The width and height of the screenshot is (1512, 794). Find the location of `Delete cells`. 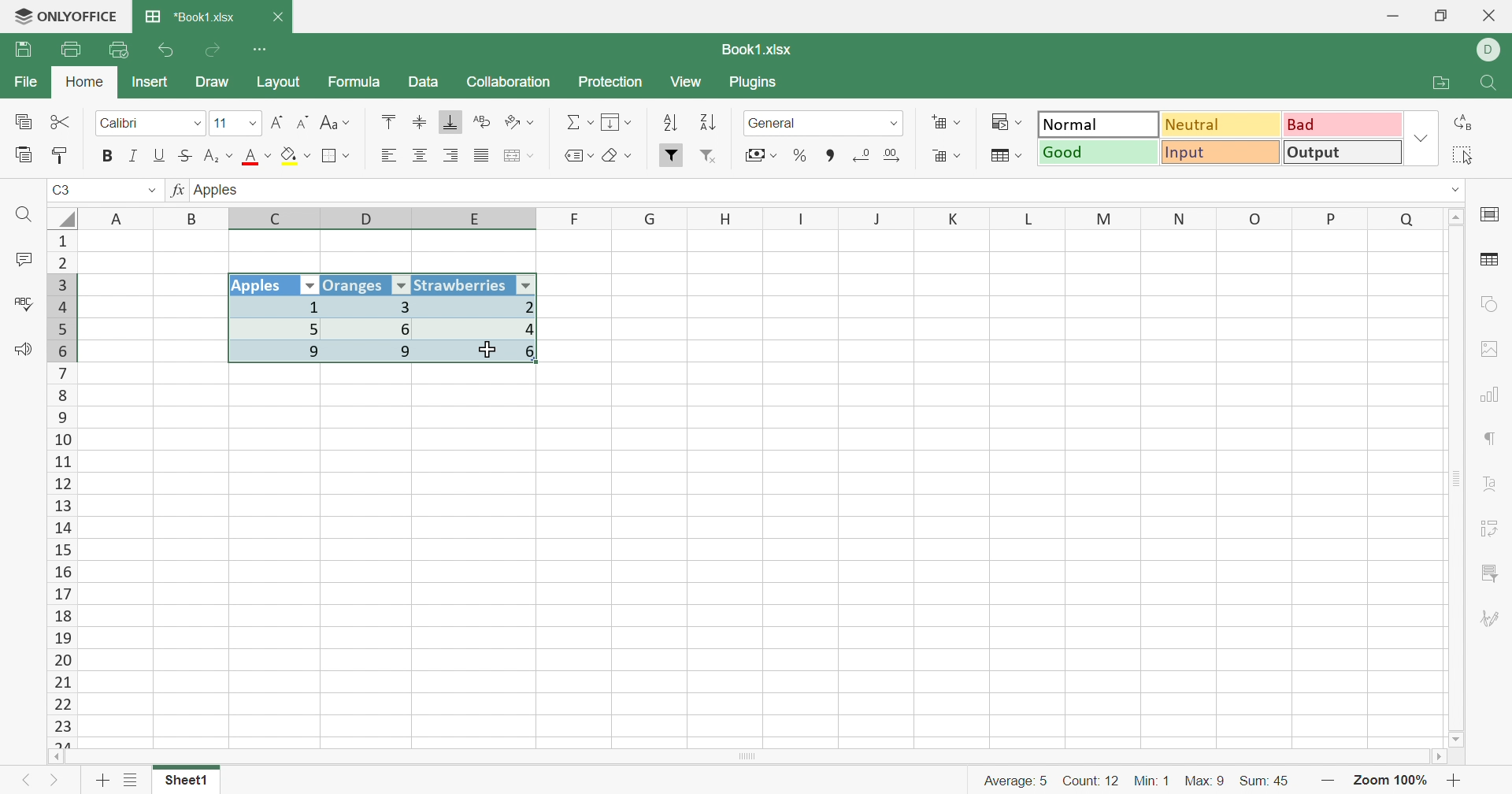

Delete cells is located at coordinates (944, 158).